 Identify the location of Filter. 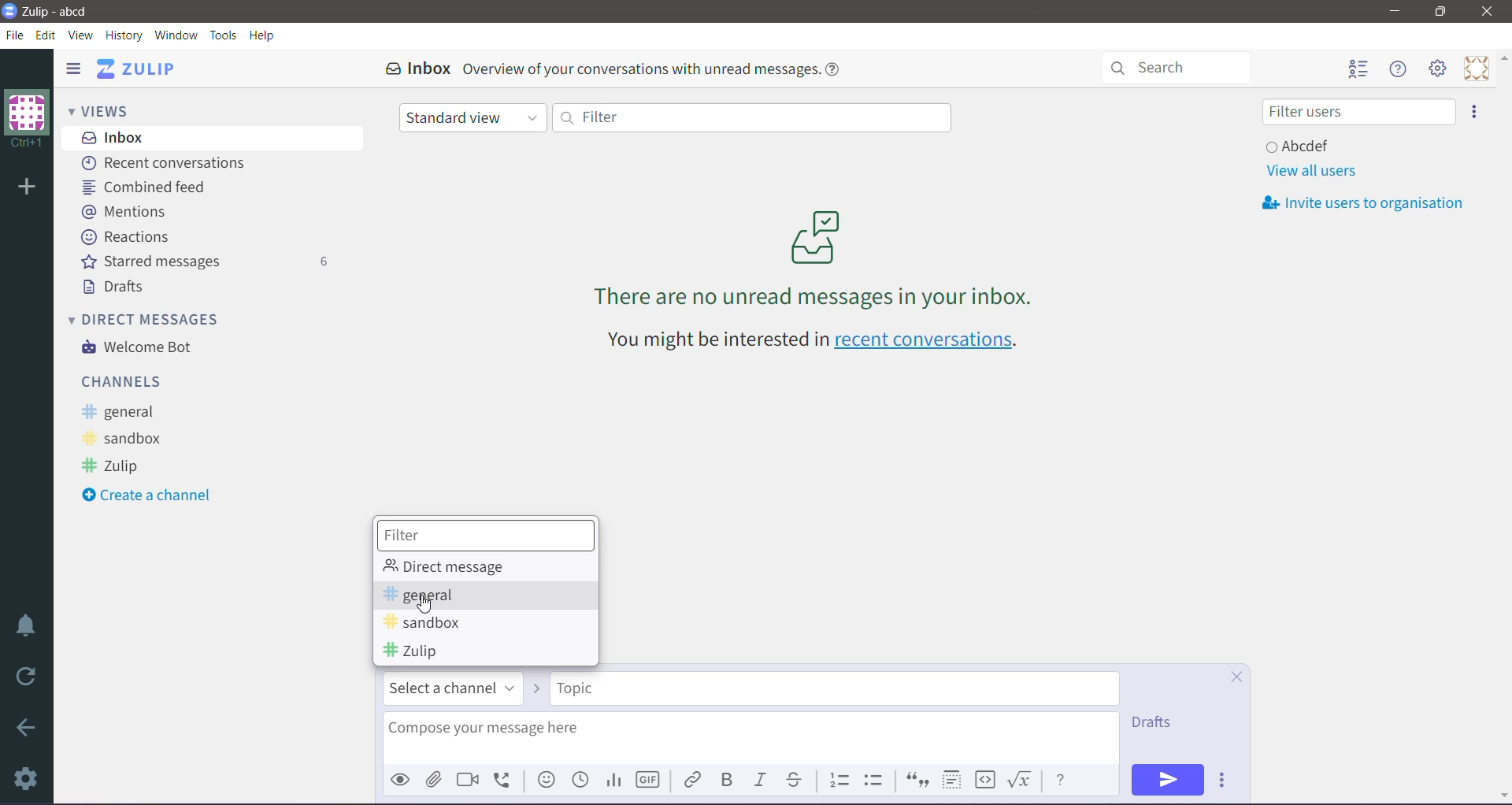
(488, 537).